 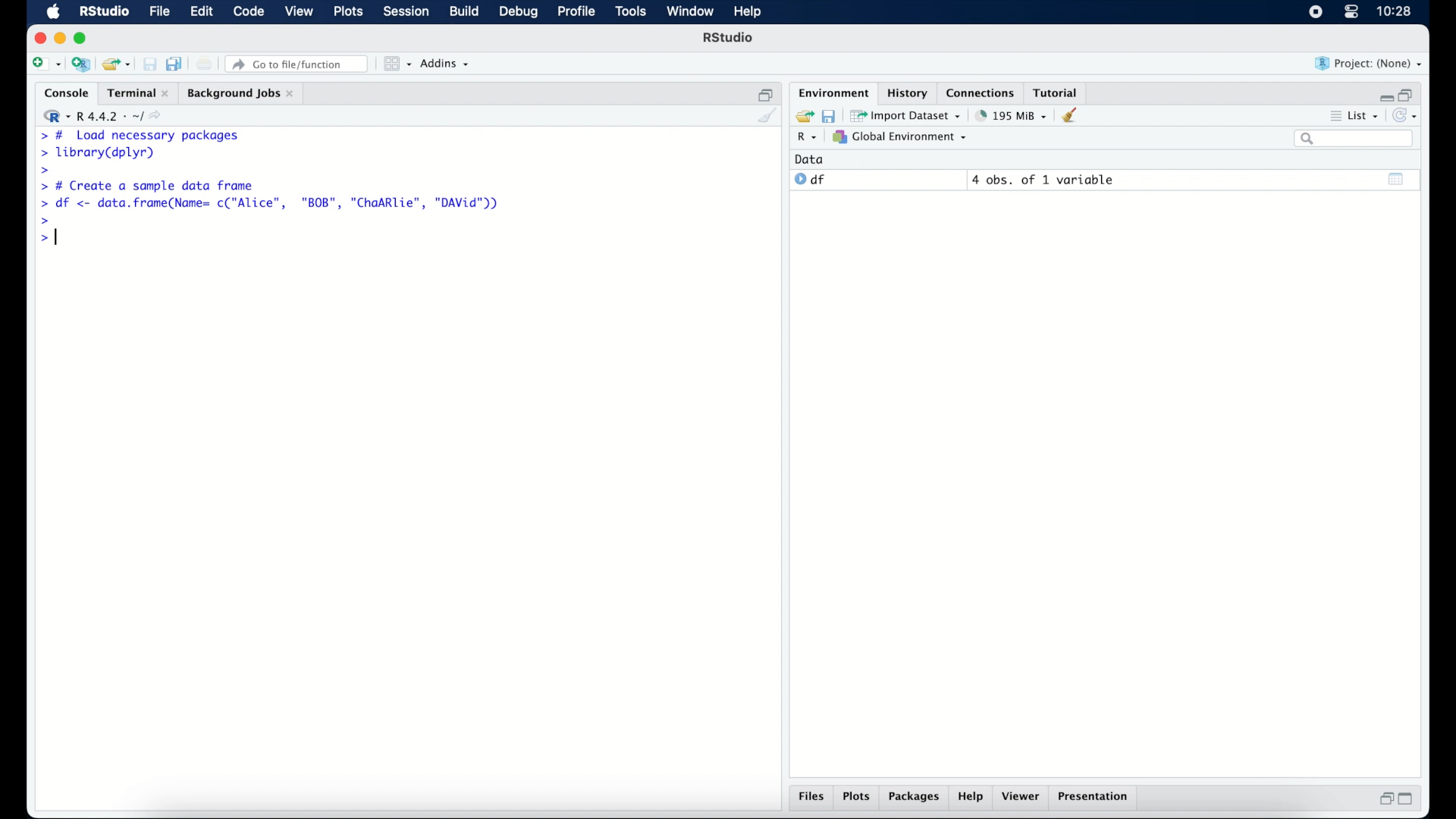 What do you see at coordinates (828, 115) in the screenshot?
I see `save` at bounding box center [828, 115].